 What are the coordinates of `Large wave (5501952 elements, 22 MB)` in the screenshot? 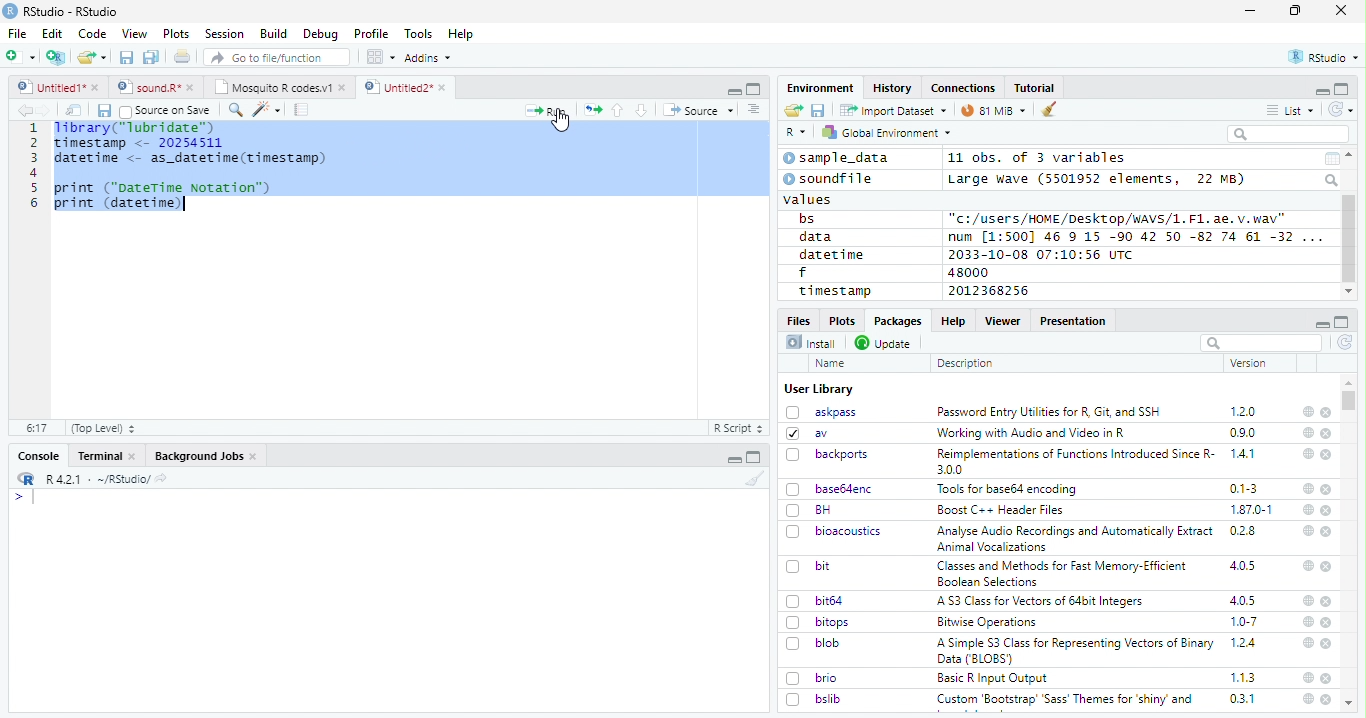 It's located at (1099, 179).